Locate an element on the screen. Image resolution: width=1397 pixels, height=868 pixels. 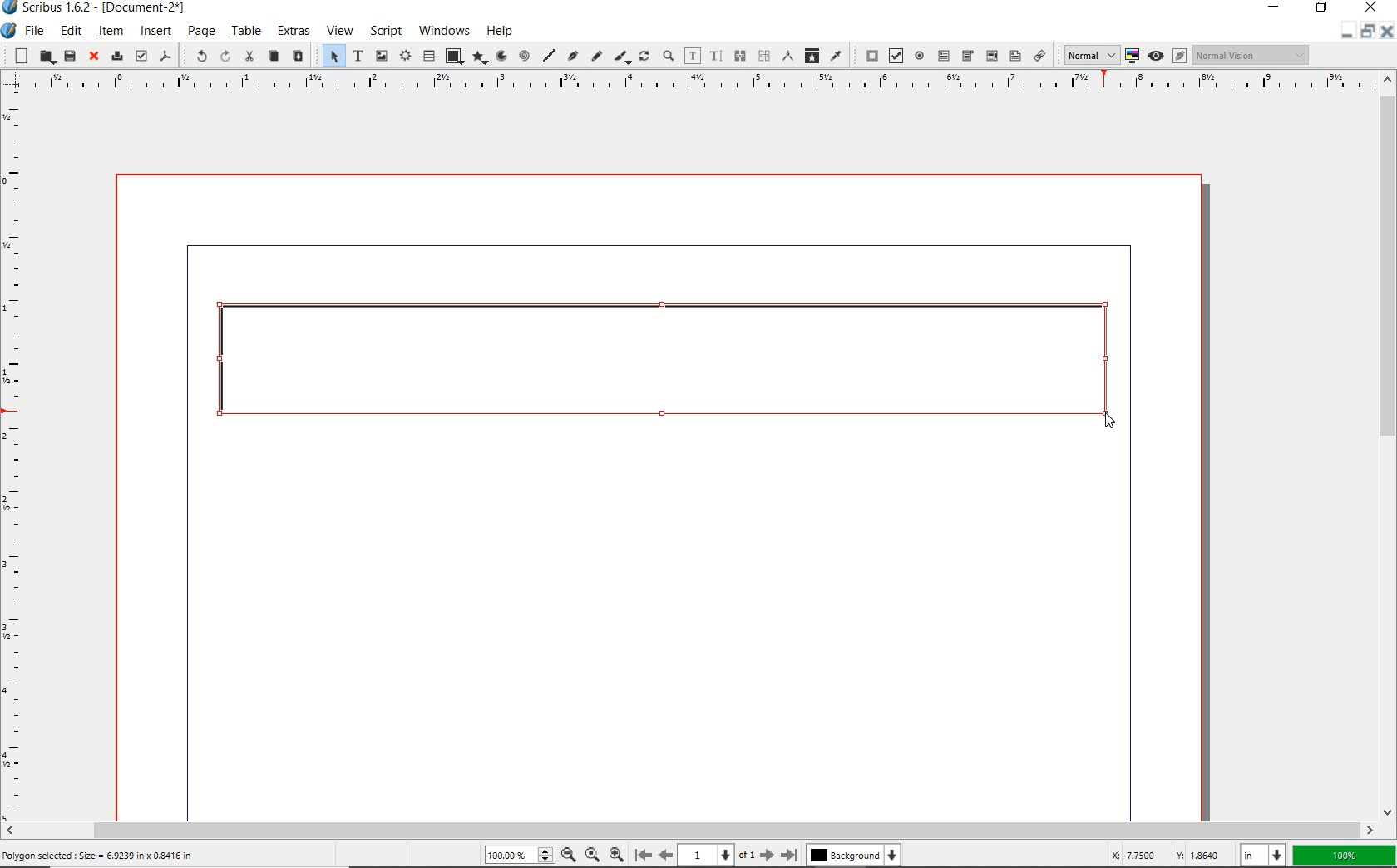
shape is located at coordinates (454, 57).